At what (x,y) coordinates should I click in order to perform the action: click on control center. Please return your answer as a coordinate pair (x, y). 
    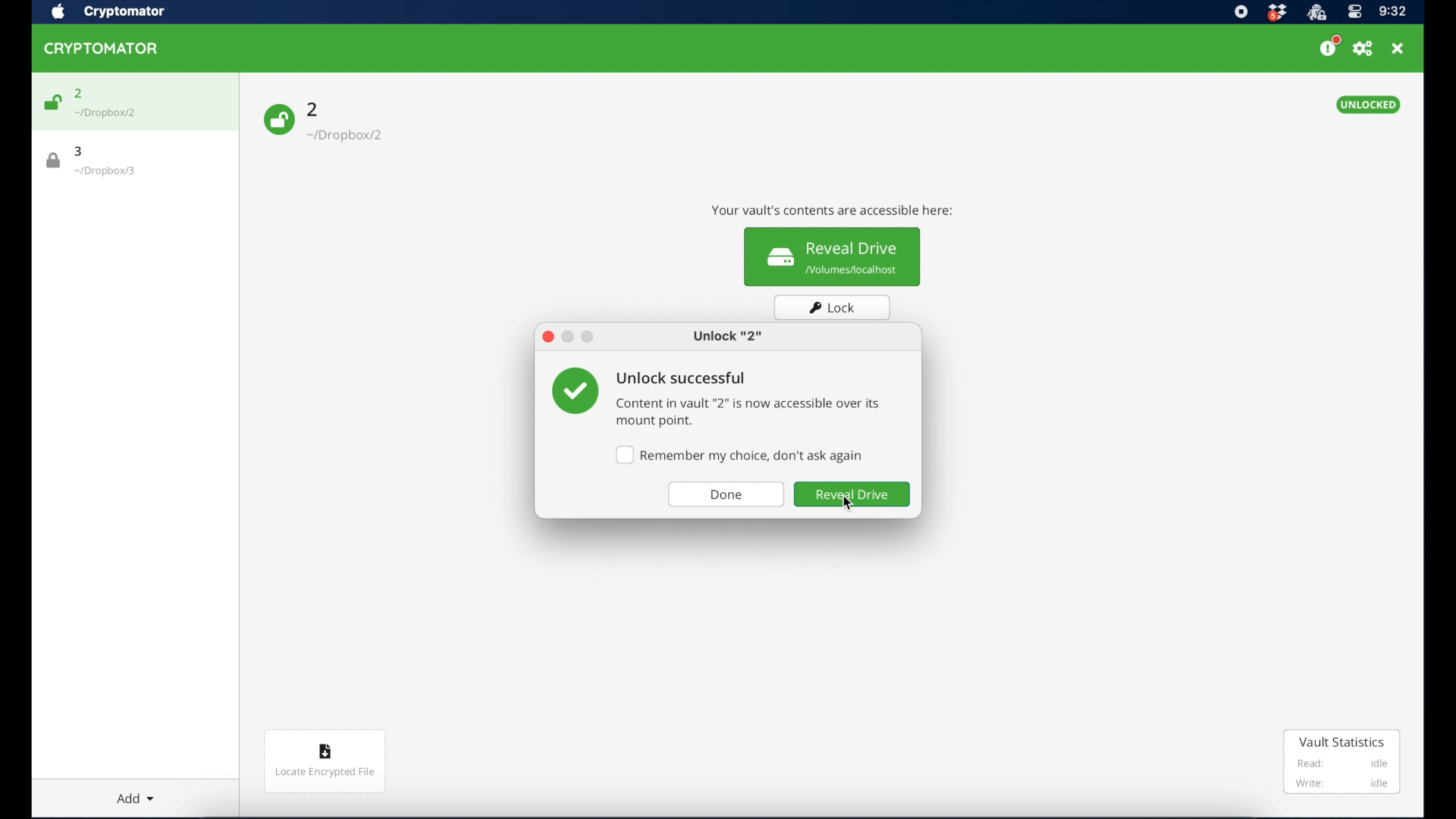
    Looking at the image, I should click on (1355, 12).